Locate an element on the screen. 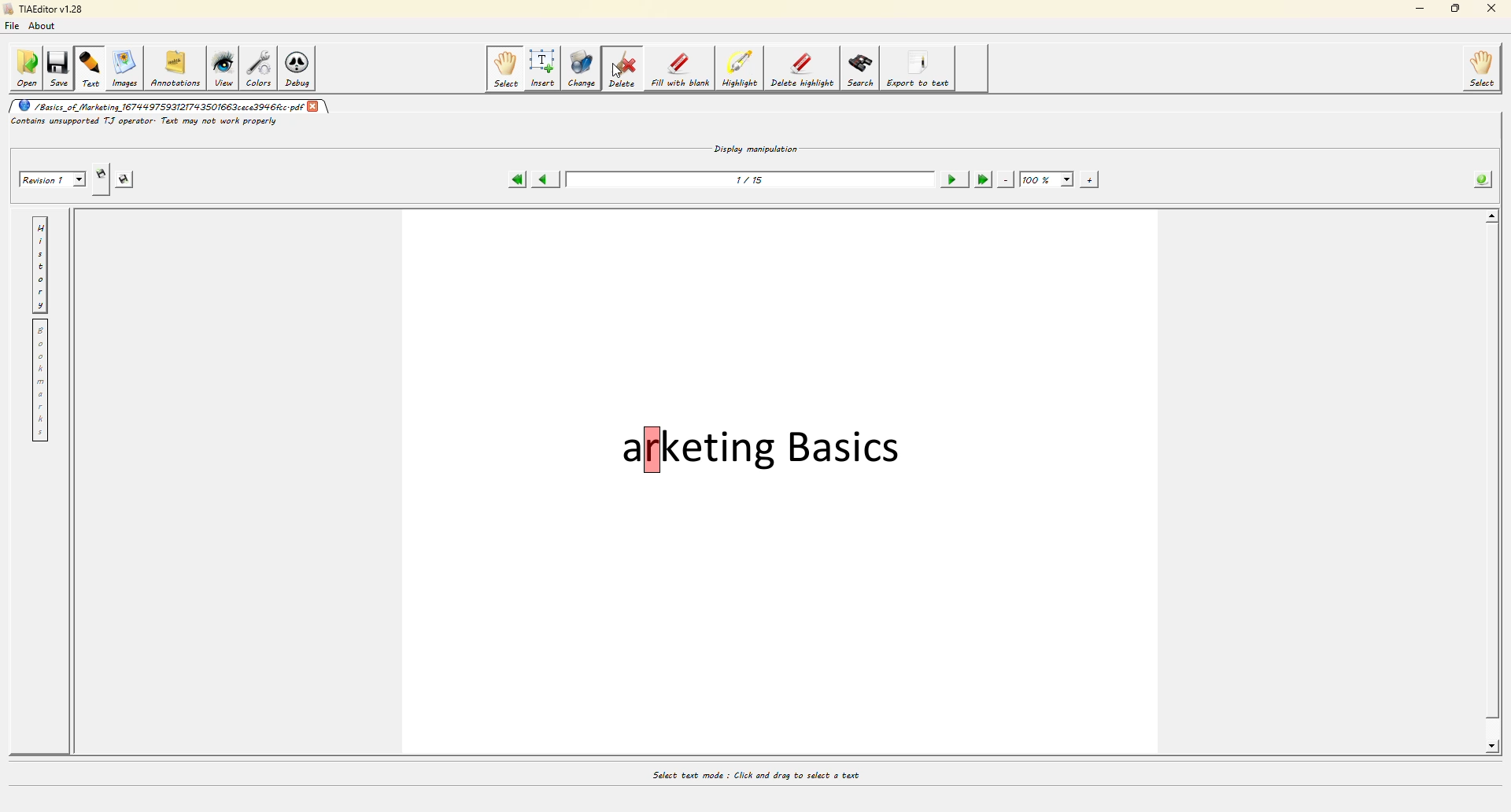  move up is located at coordinates (1492, 215).